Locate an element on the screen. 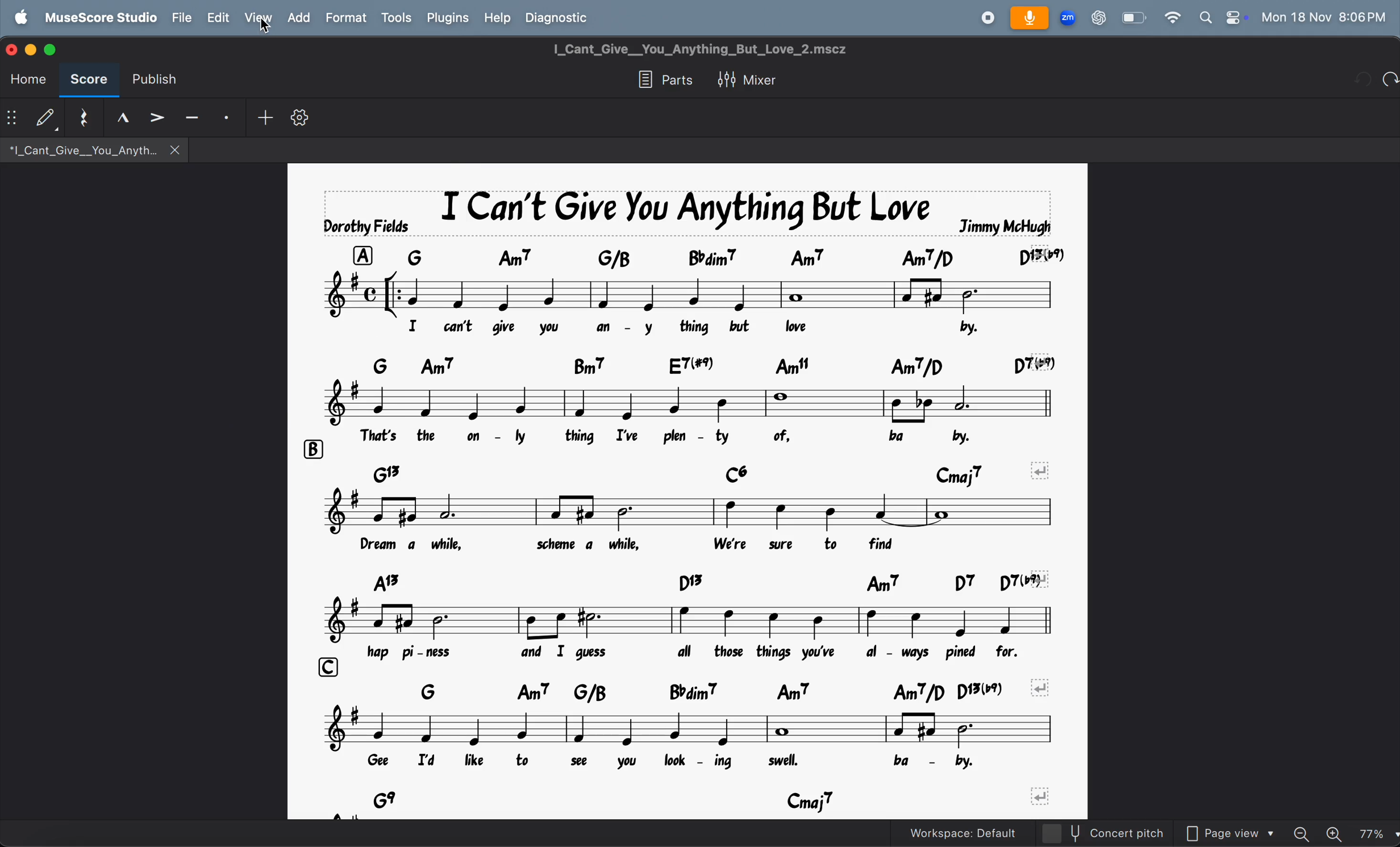 The image size is (1400, 847). I_Cant_Give__You_Anything_But_Love_2.mscz is located at coordinates (700, 49).